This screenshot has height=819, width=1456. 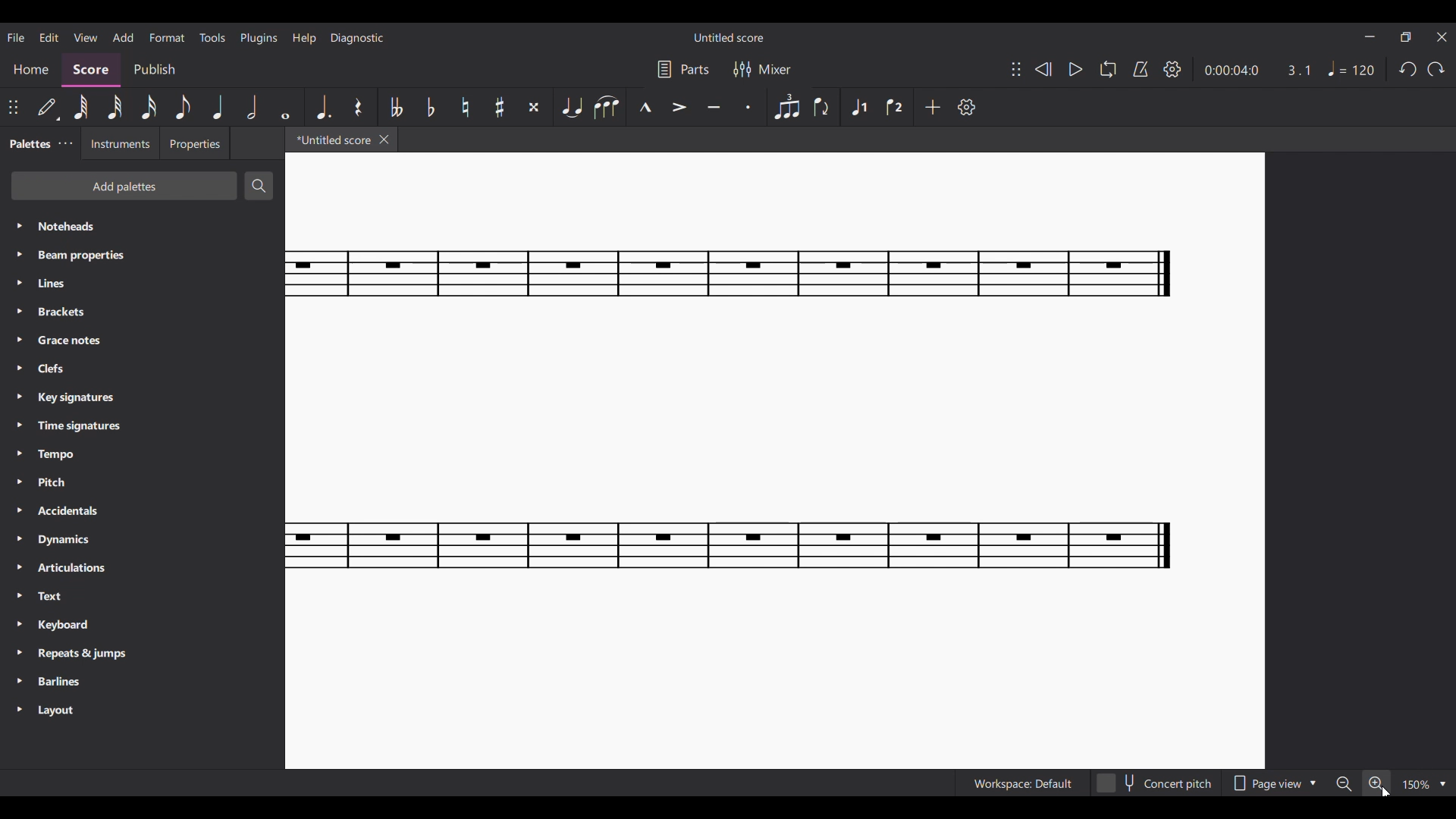 I want to click on Toggle sharp, so click(x=499, y=107).